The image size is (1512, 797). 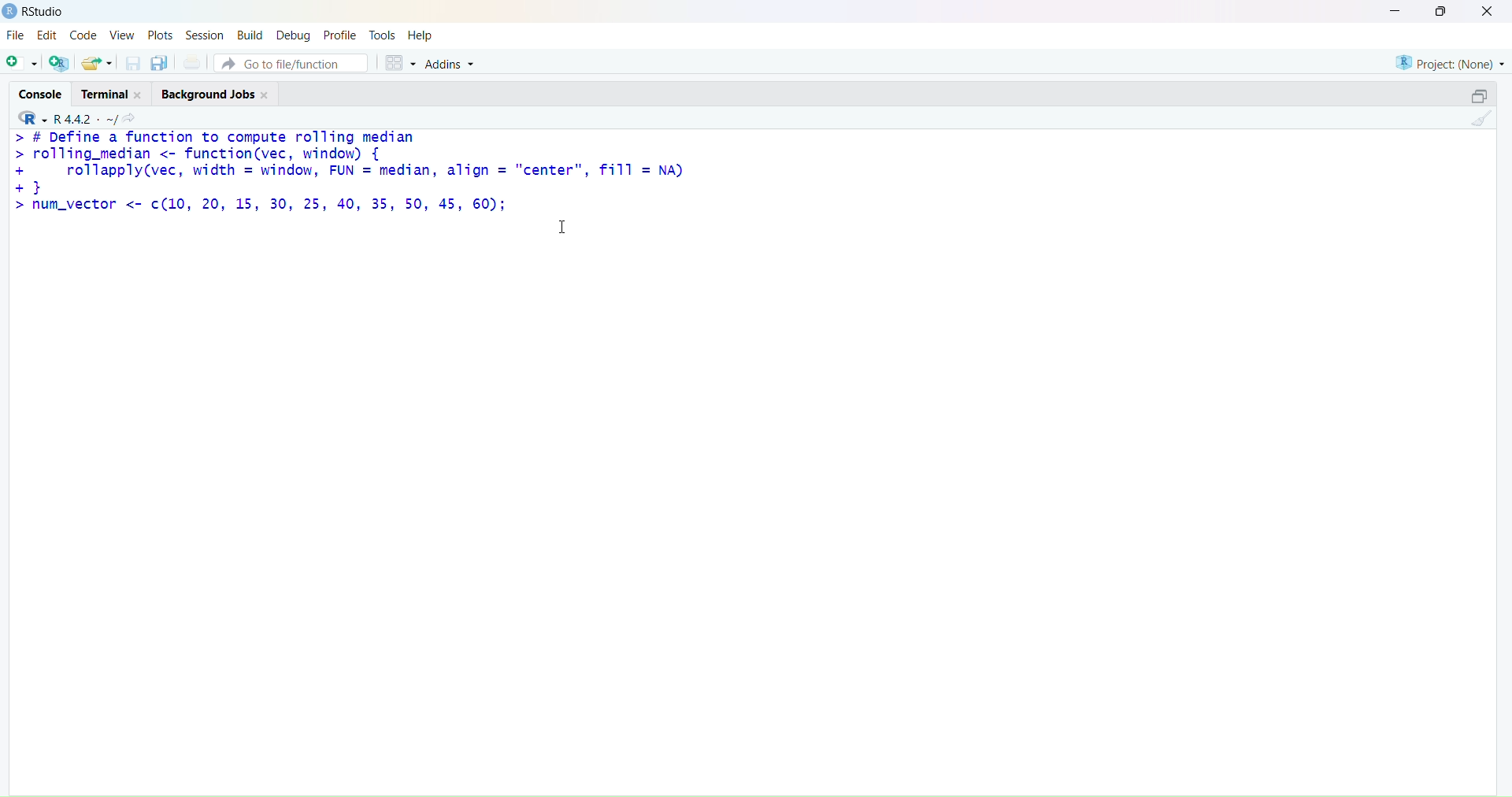 What do you see at coordinates (1488, 10) in the screenshot?
I see `close` at bounding box center [1488, 10].